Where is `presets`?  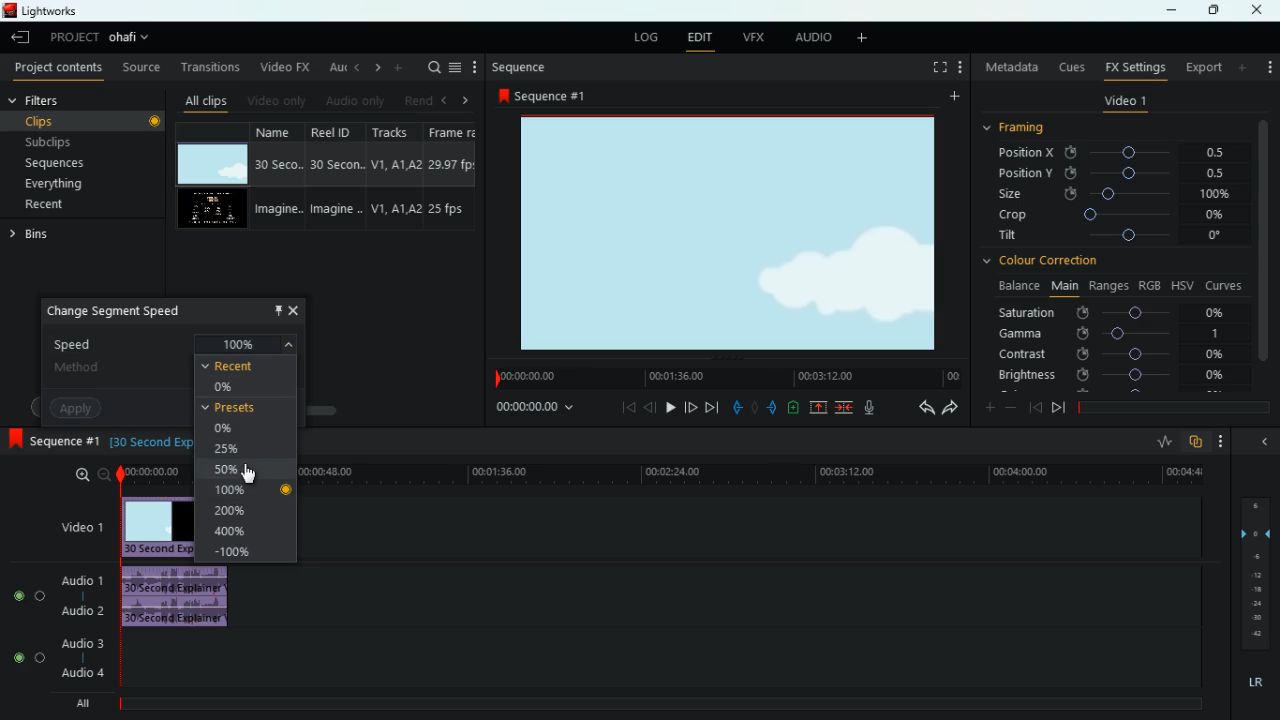 presets is located at coordinates (232, 407).